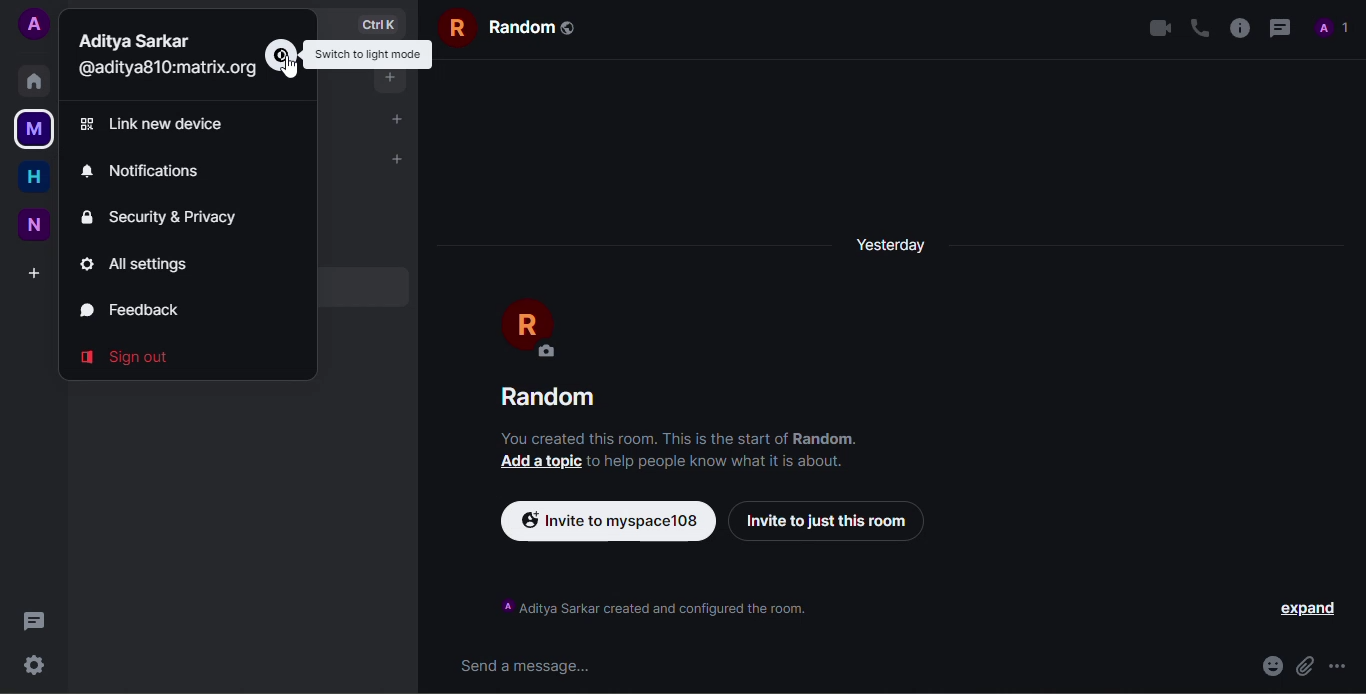  Describe the element at coordinates (540, 462) in the screenshot. I see `add topic` at that location.